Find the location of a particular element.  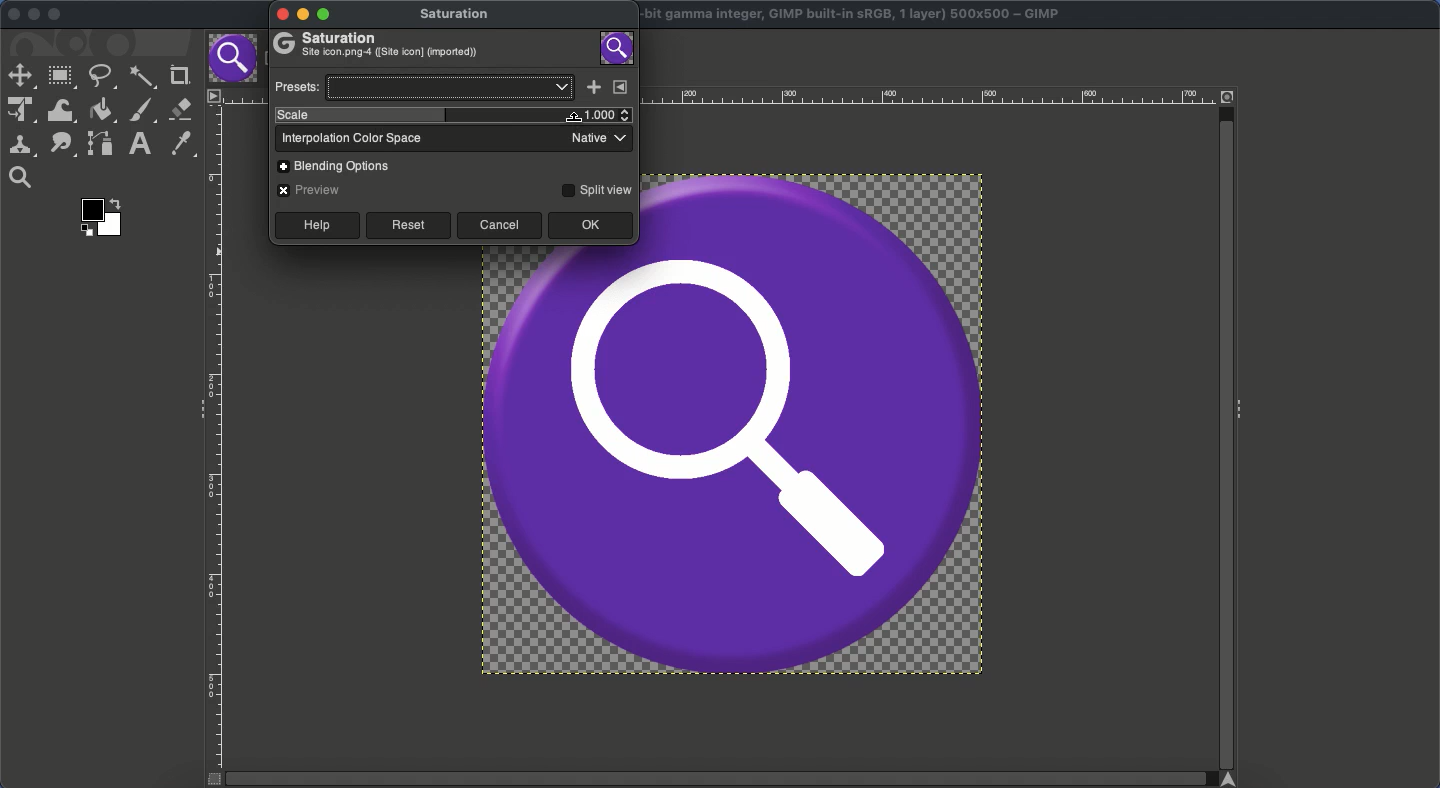

Minimize is located at coordinates (33, 15).